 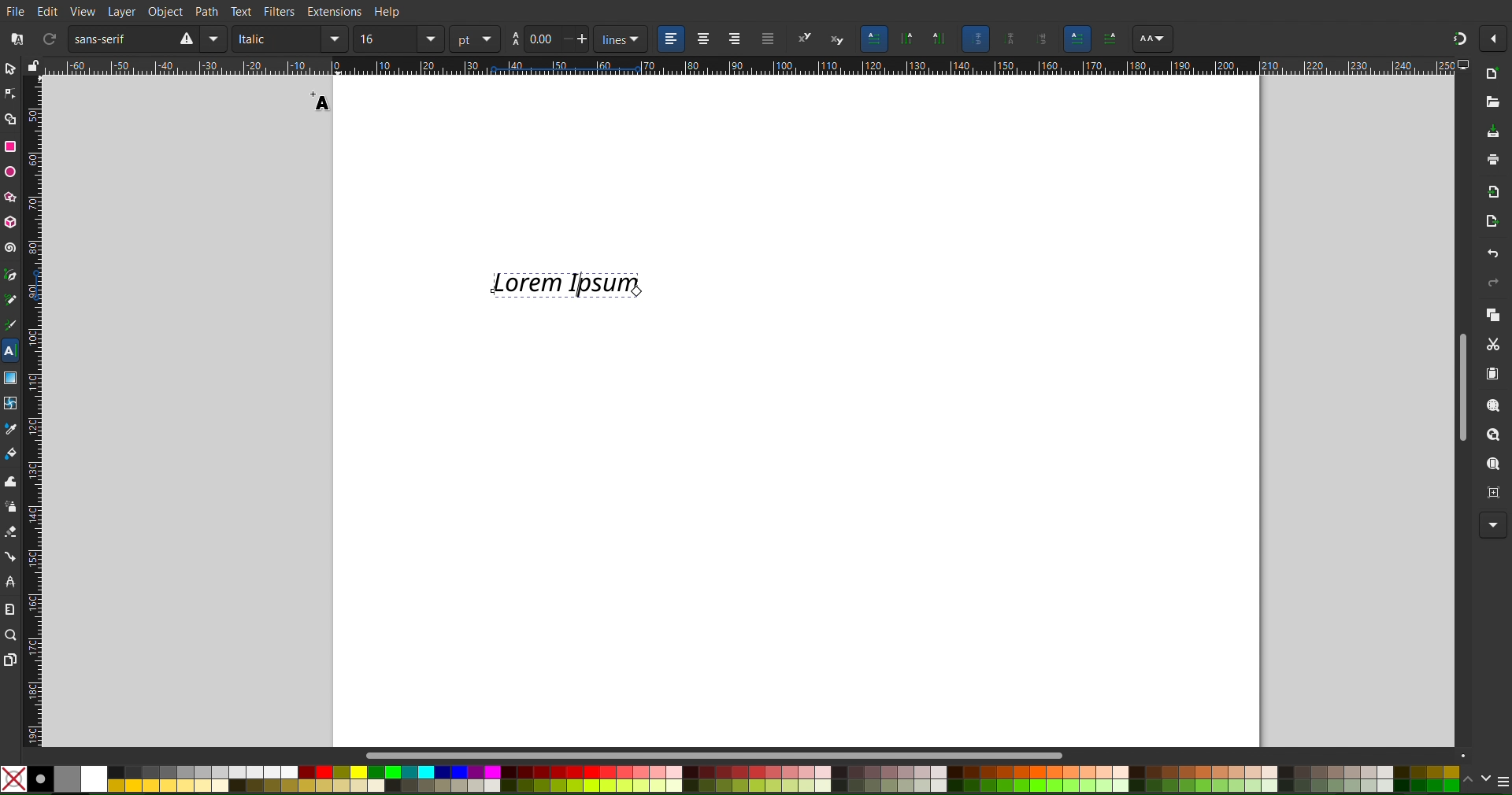 What do you see at coordinates (11, 68) in the screenshot?
I see `Select` at bounding box center [11, 68].